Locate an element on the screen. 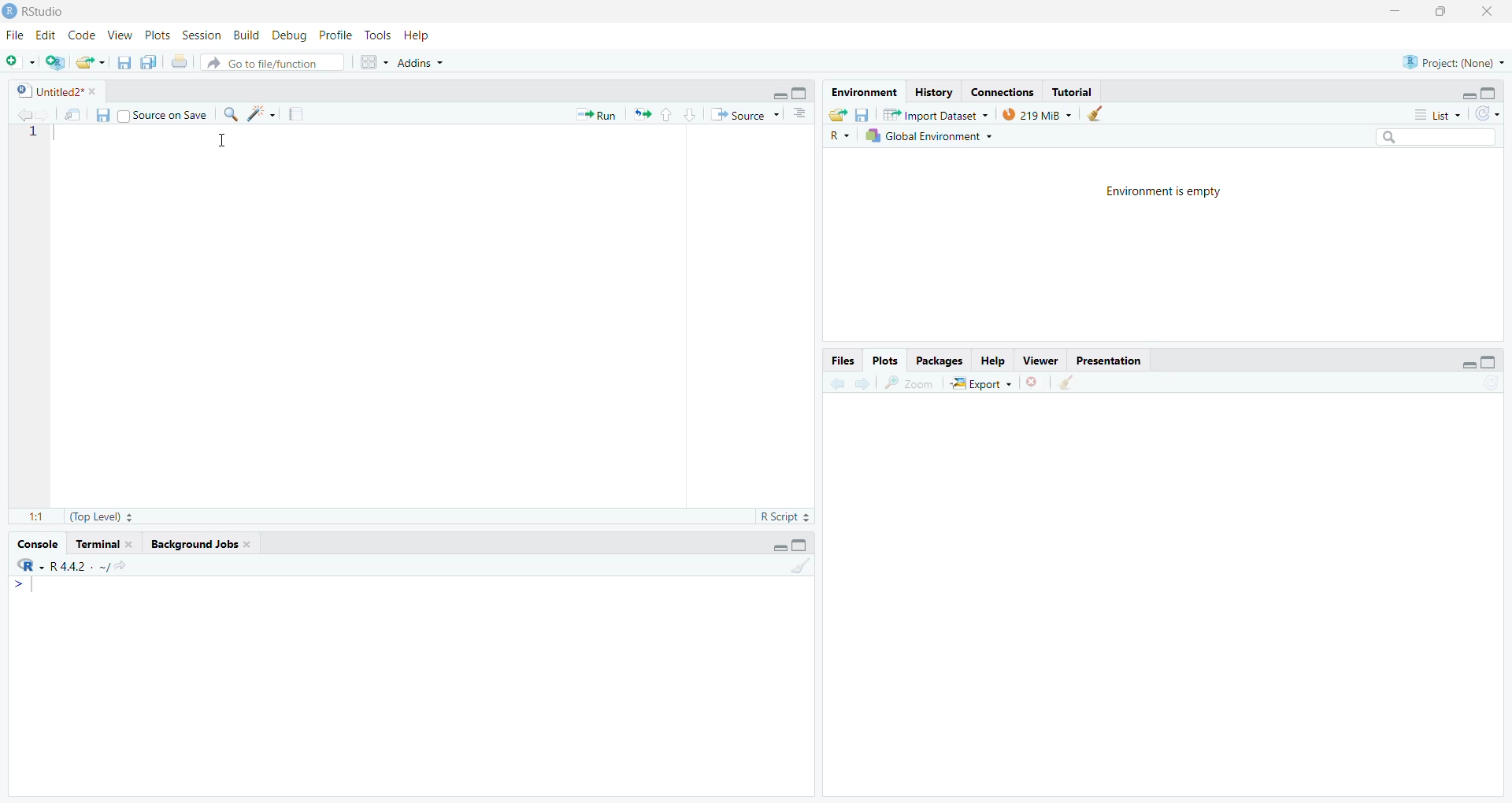 The image size is (1512, 803). Tutorial is located at coordinates (1071, 91).